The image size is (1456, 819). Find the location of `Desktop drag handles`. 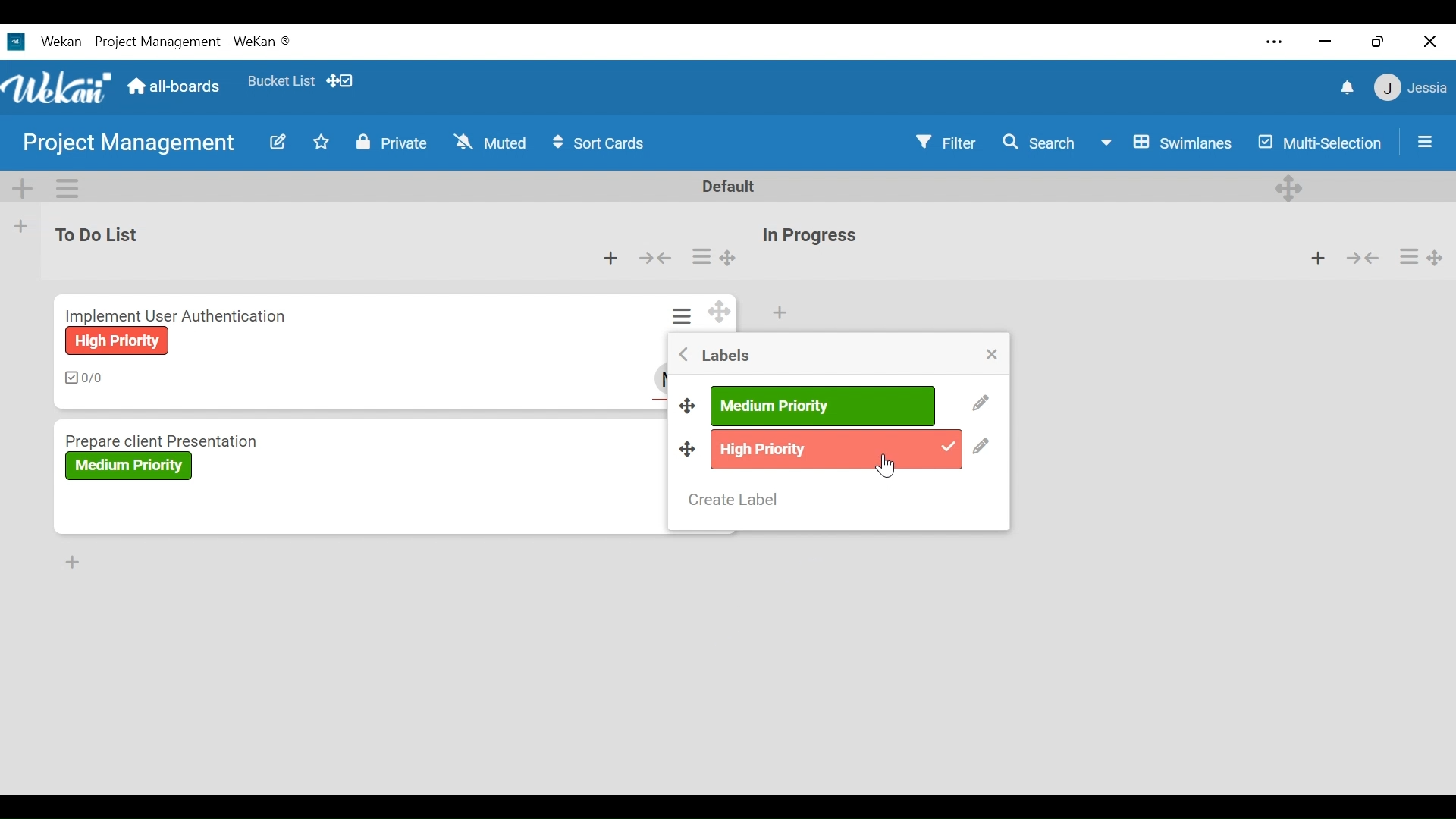

Desktop drag handles is located at coordinates (1288, 188).